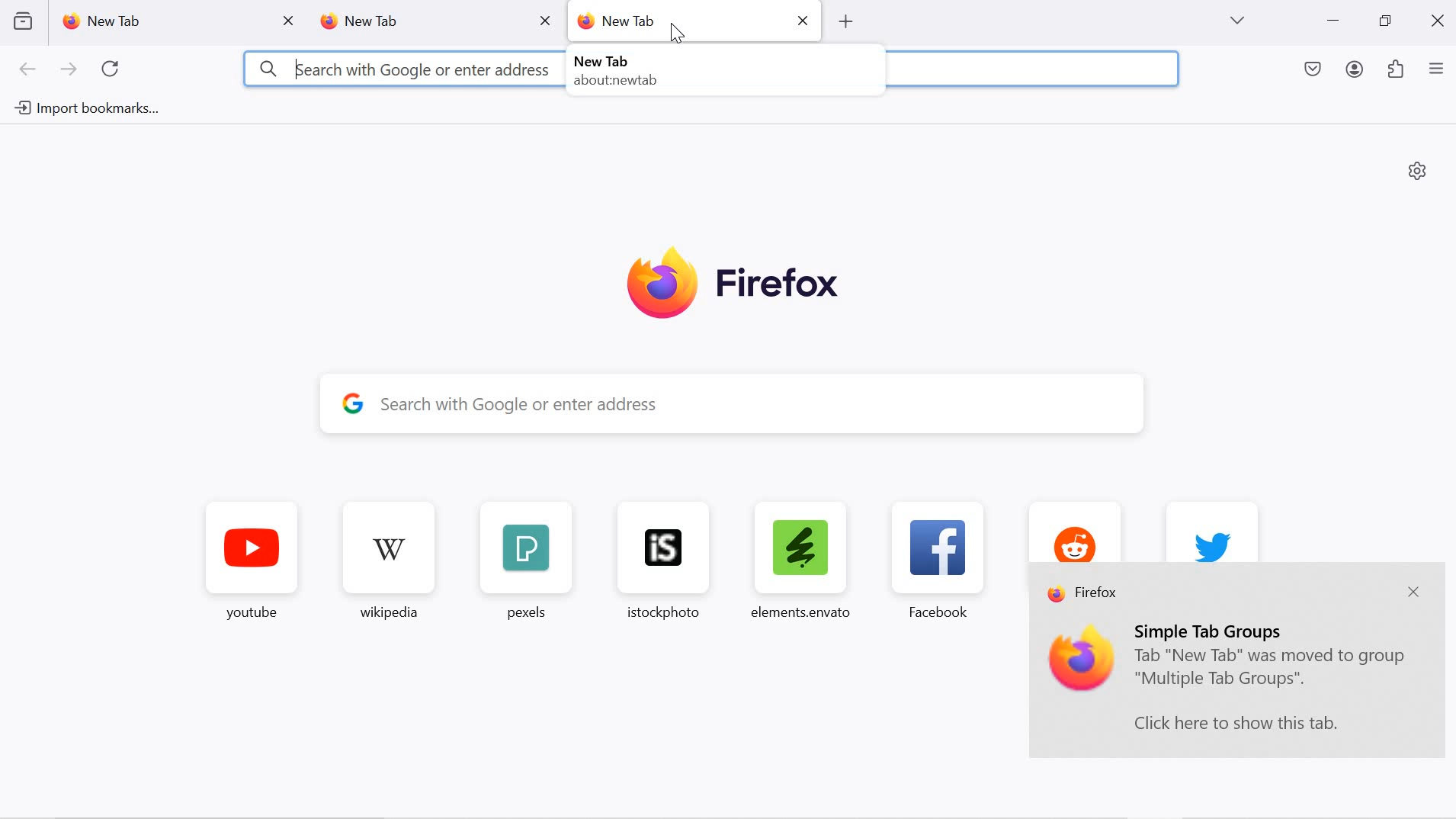 The width and height of the screenshot is (1456, 819). I want to click on app name: firefox, so click(1085, 595).